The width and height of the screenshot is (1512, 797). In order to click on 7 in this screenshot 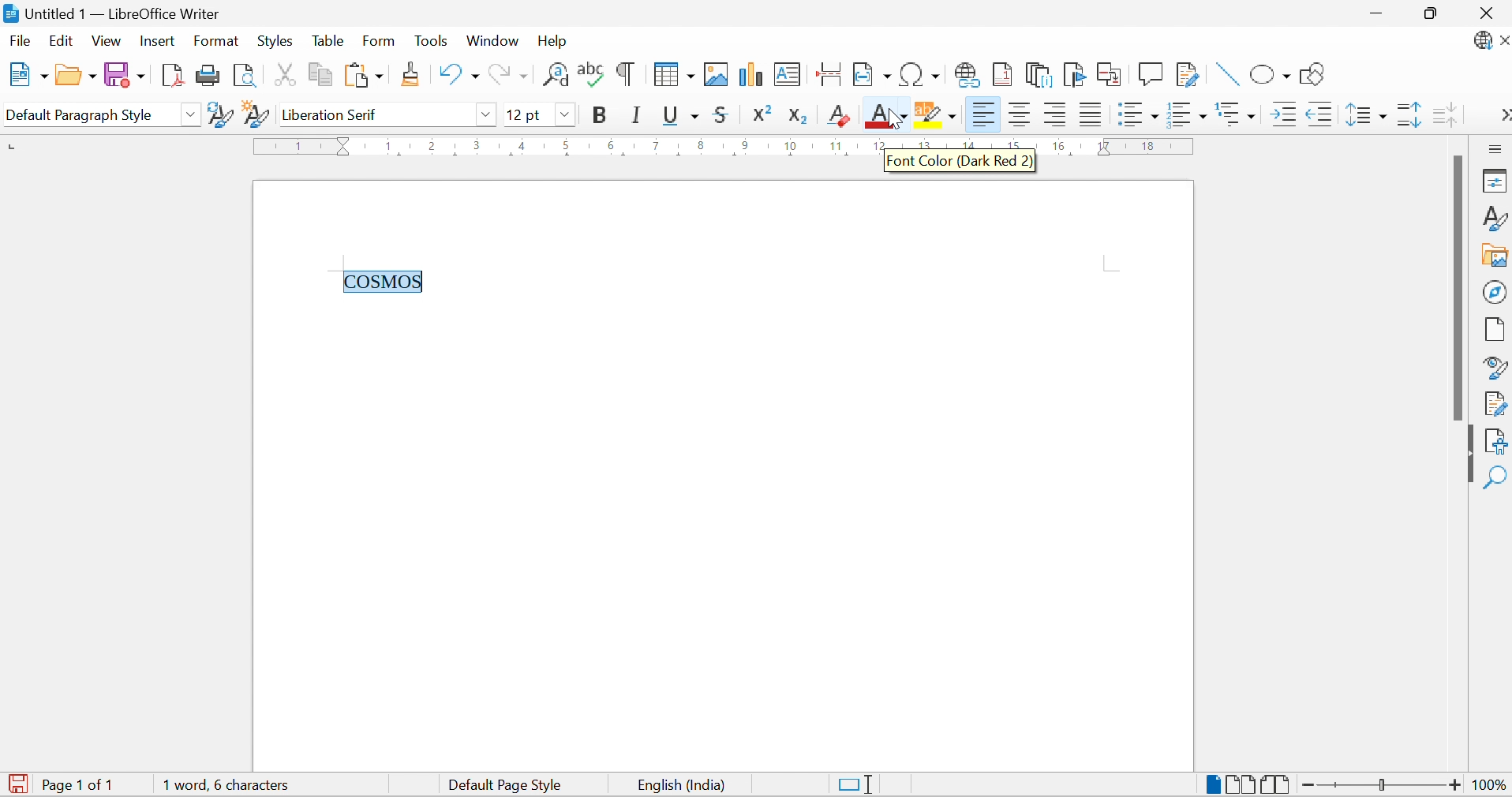, I will do `click(654, 146)`.